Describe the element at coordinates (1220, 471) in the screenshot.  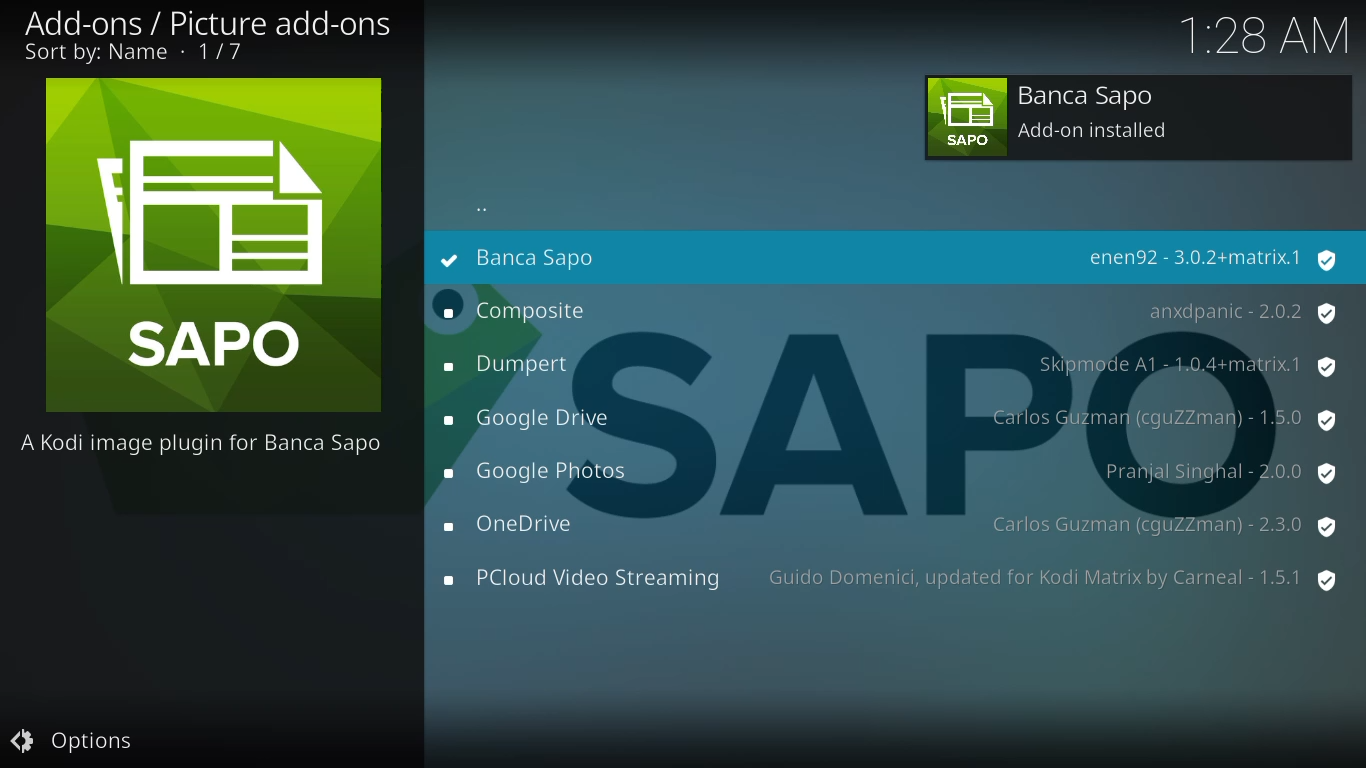
I see `version` at that location.